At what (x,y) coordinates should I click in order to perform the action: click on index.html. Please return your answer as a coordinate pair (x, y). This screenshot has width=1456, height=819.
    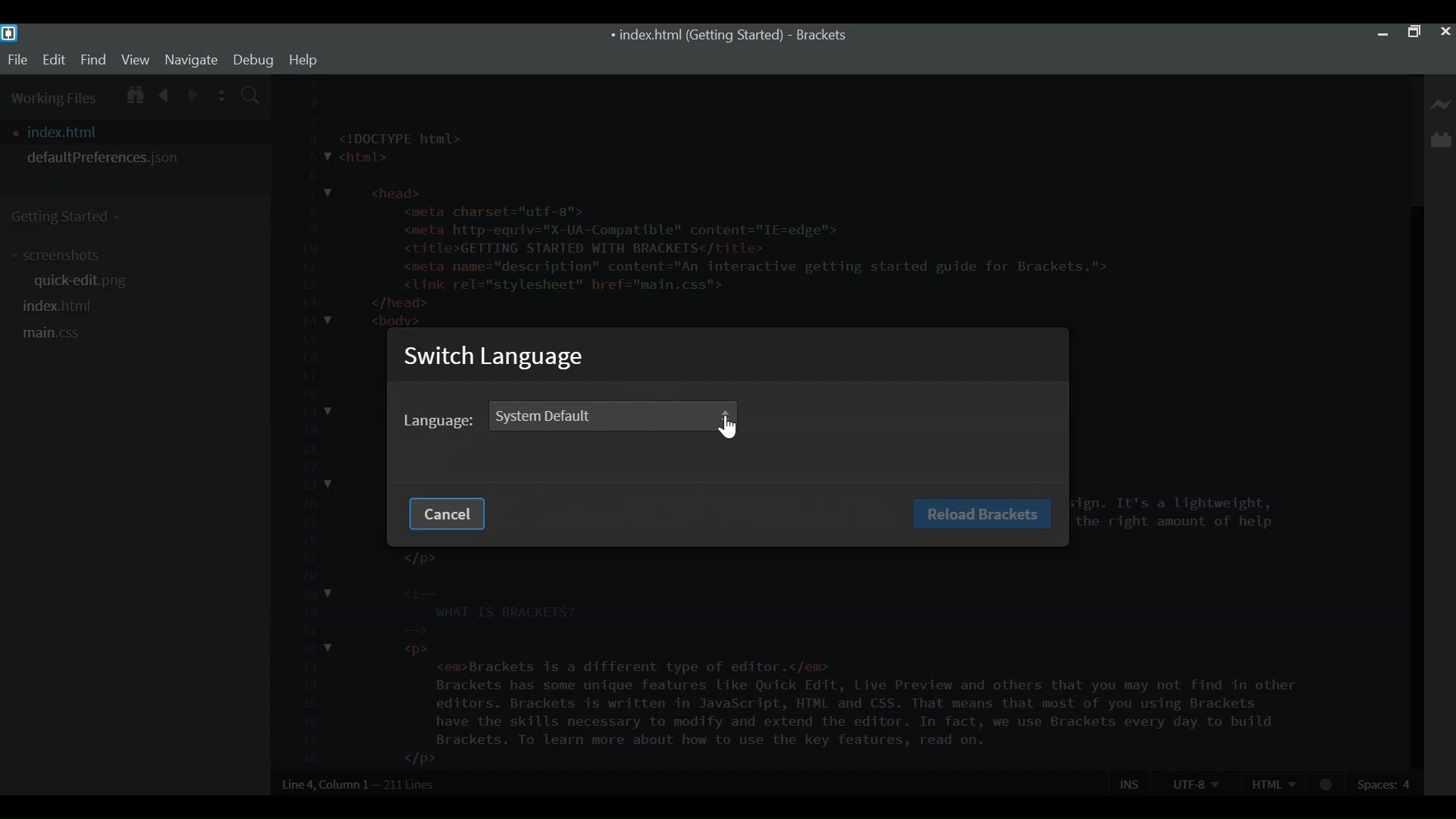
    Looking at the image, I should click on (140, 132).